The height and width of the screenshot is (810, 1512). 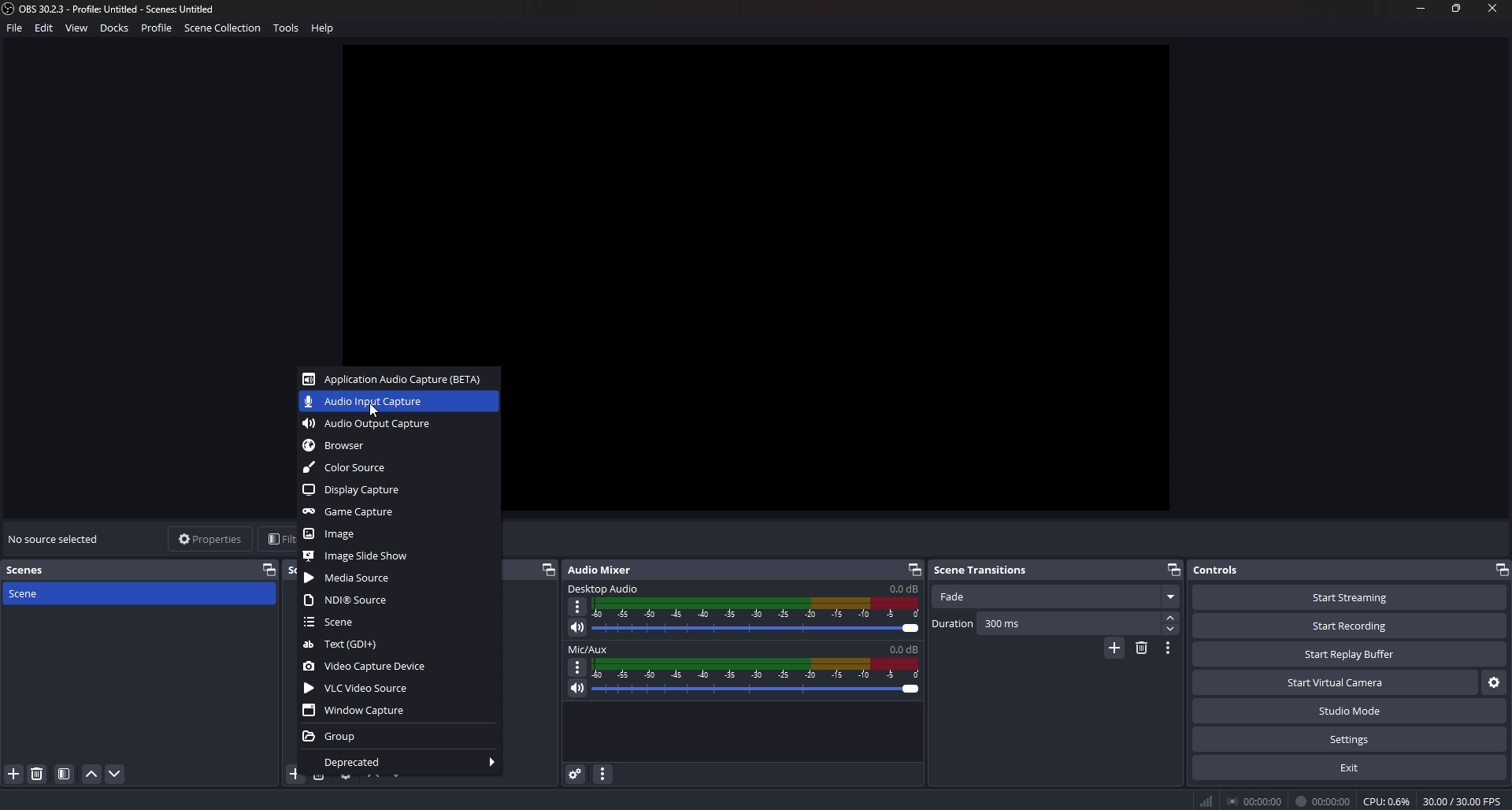 What do you see at coordinates (1169, 648) in the screenshot?
I see `transition properties` at bounding box center [1169, 648].